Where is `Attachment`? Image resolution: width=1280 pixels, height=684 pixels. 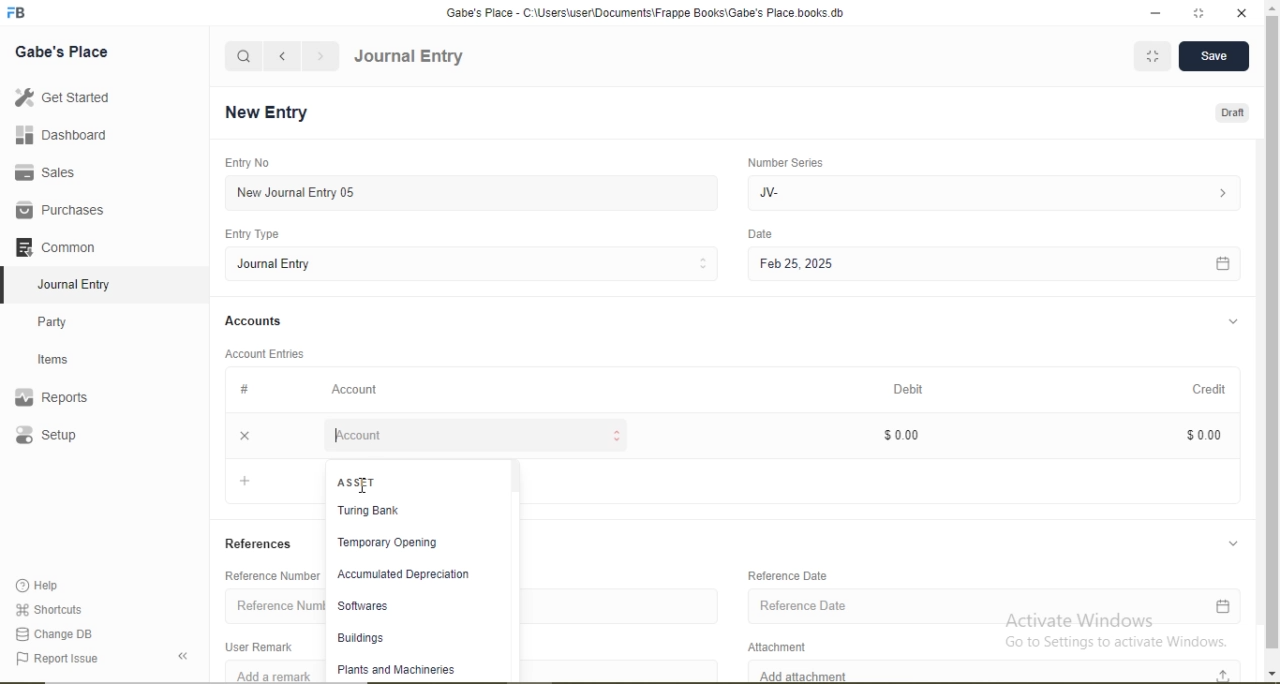 Attachment is located at coordinates (792, 644).